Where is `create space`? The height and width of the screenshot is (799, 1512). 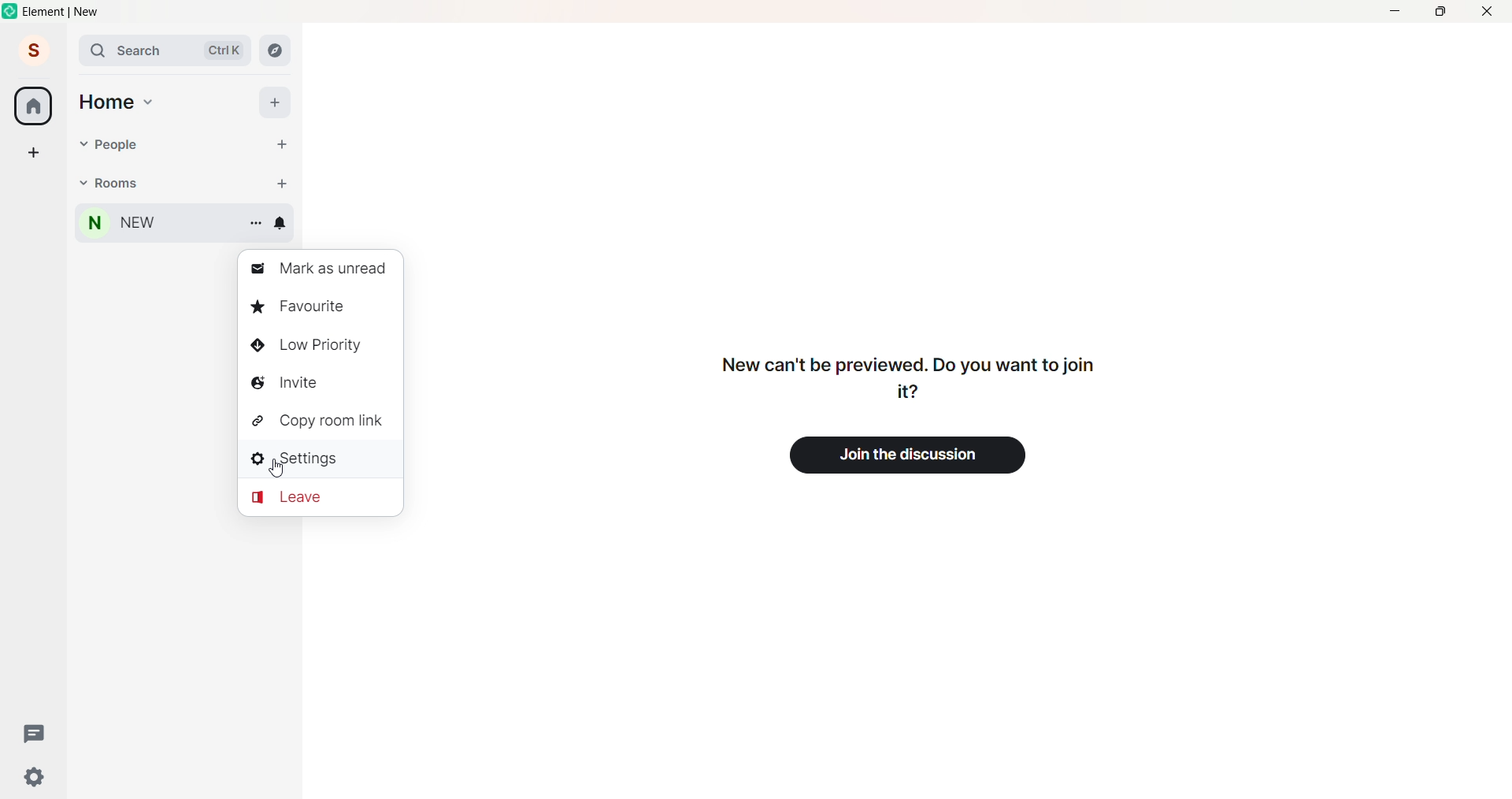
create space is located at coordinates (32, 147).